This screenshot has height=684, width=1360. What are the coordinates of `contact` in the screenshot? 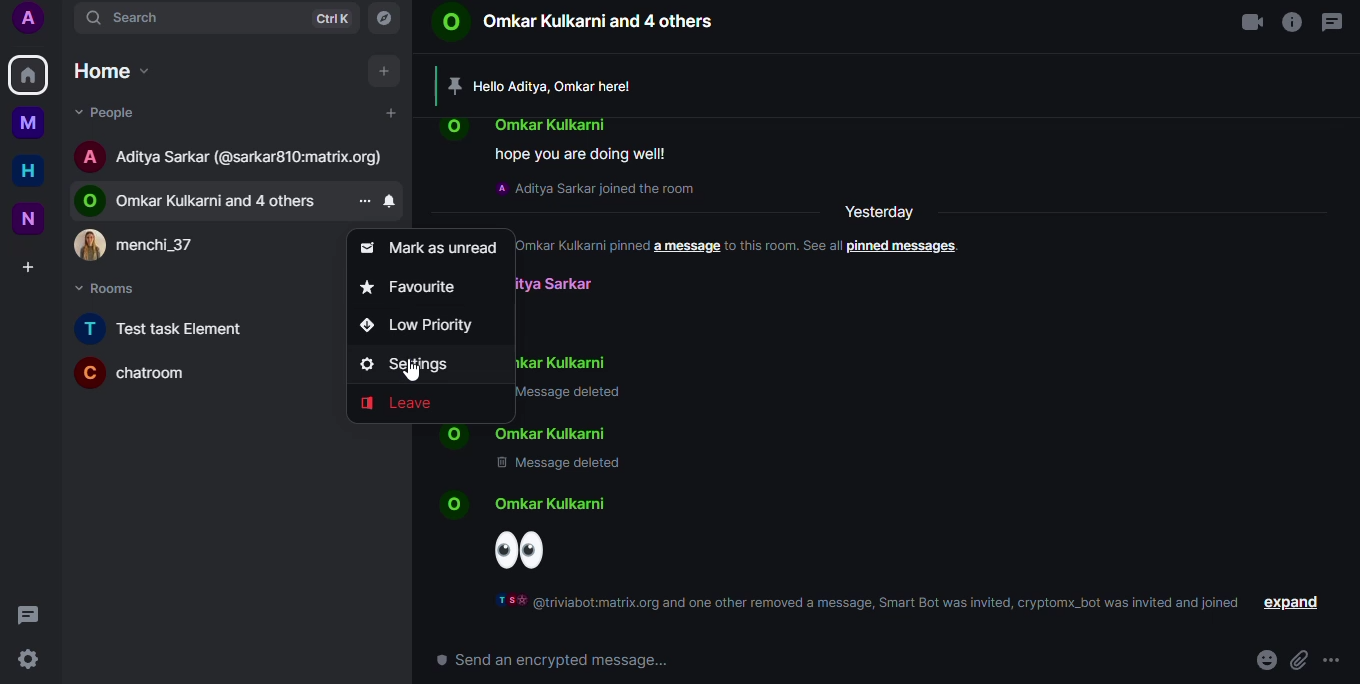 It's located at (576, 24).